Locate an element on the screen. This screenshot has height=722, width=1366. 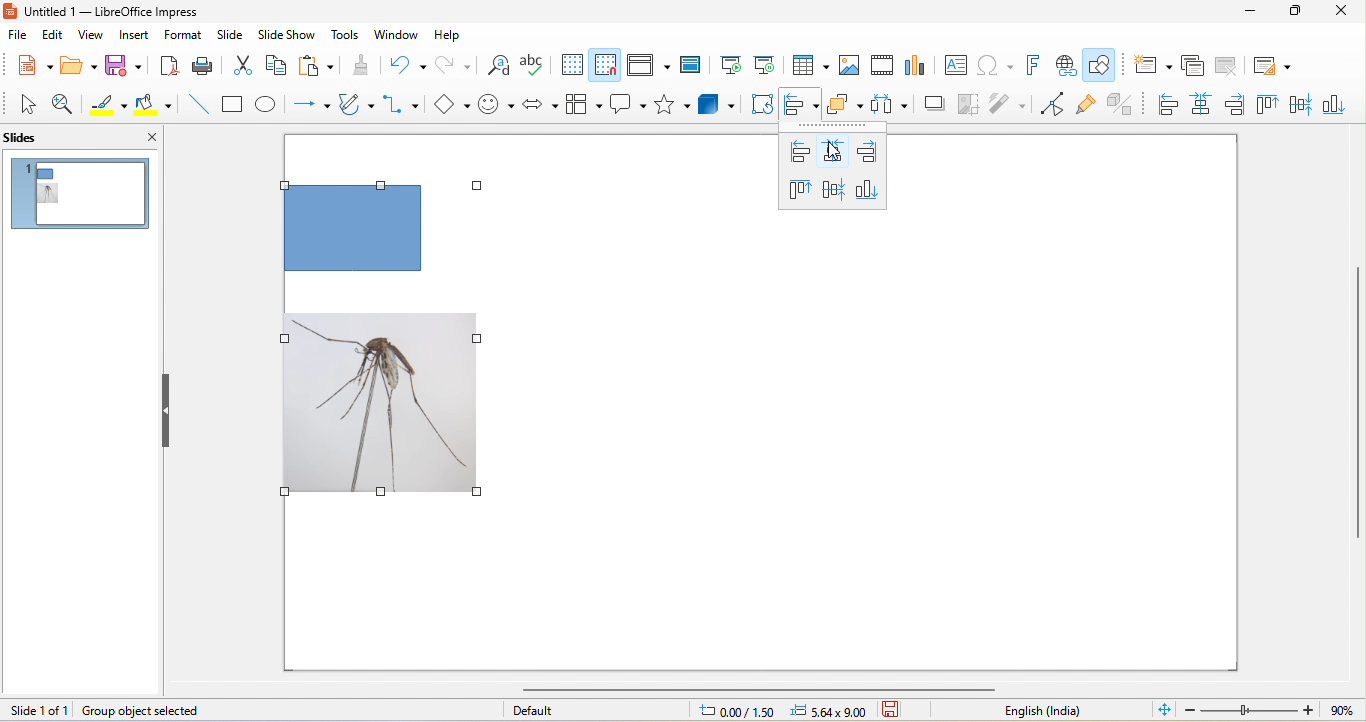
callout shapes is located at coordinates (625, 106).